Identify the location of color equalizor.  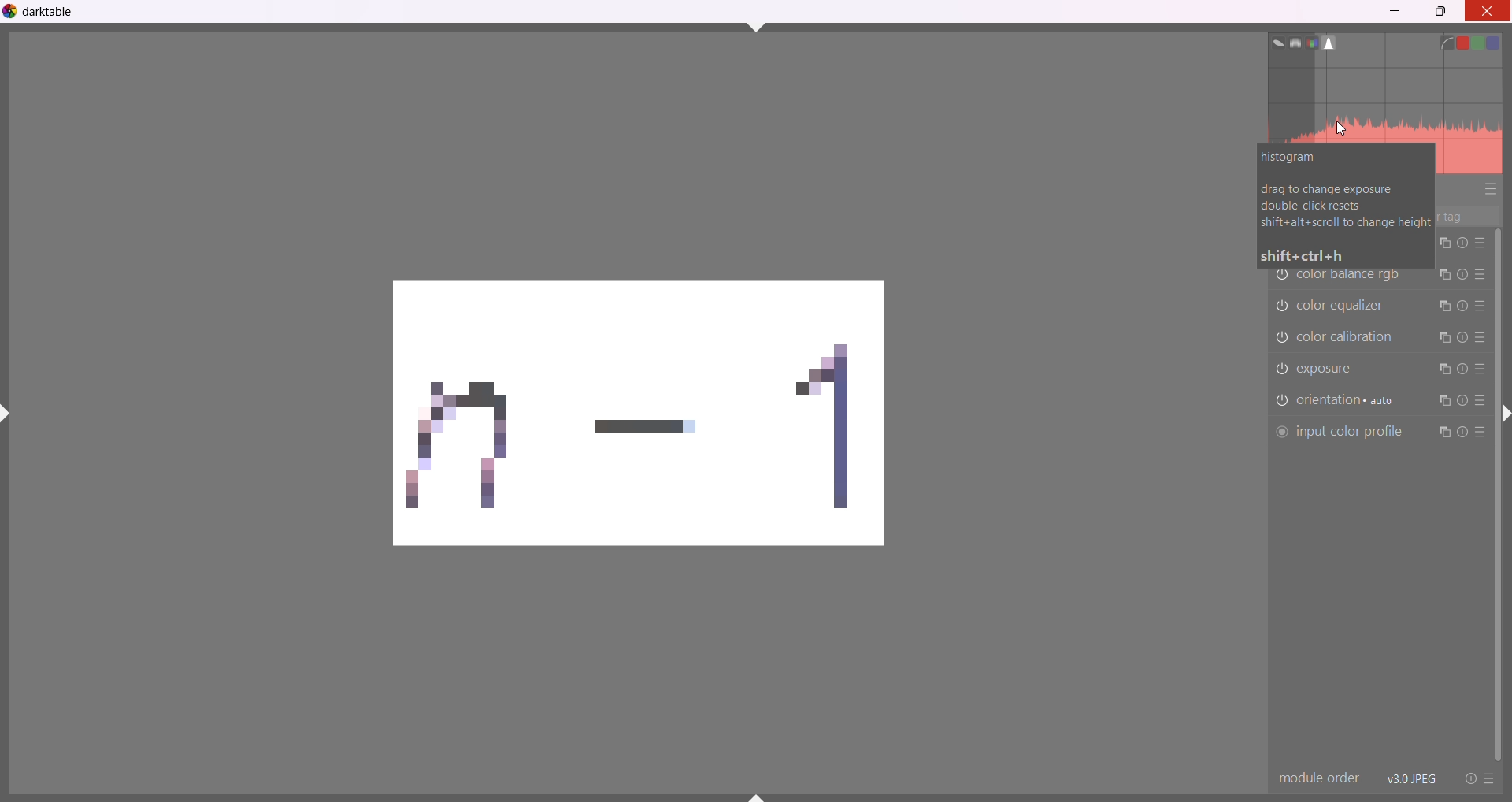
(1346, 304).